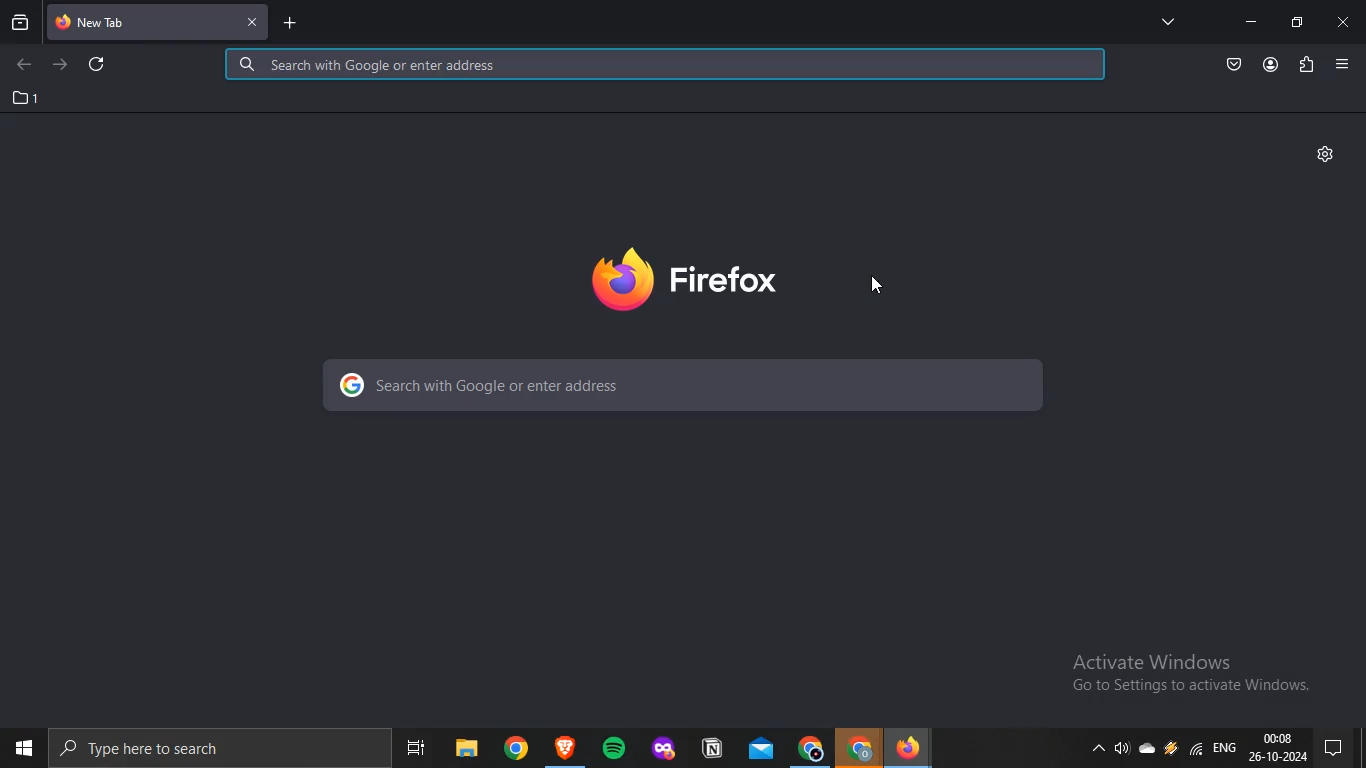 The image size is (1366, 768). Describe the element at coordinates (1168, 21) in the screenshot. I see `all tabs` at that location.